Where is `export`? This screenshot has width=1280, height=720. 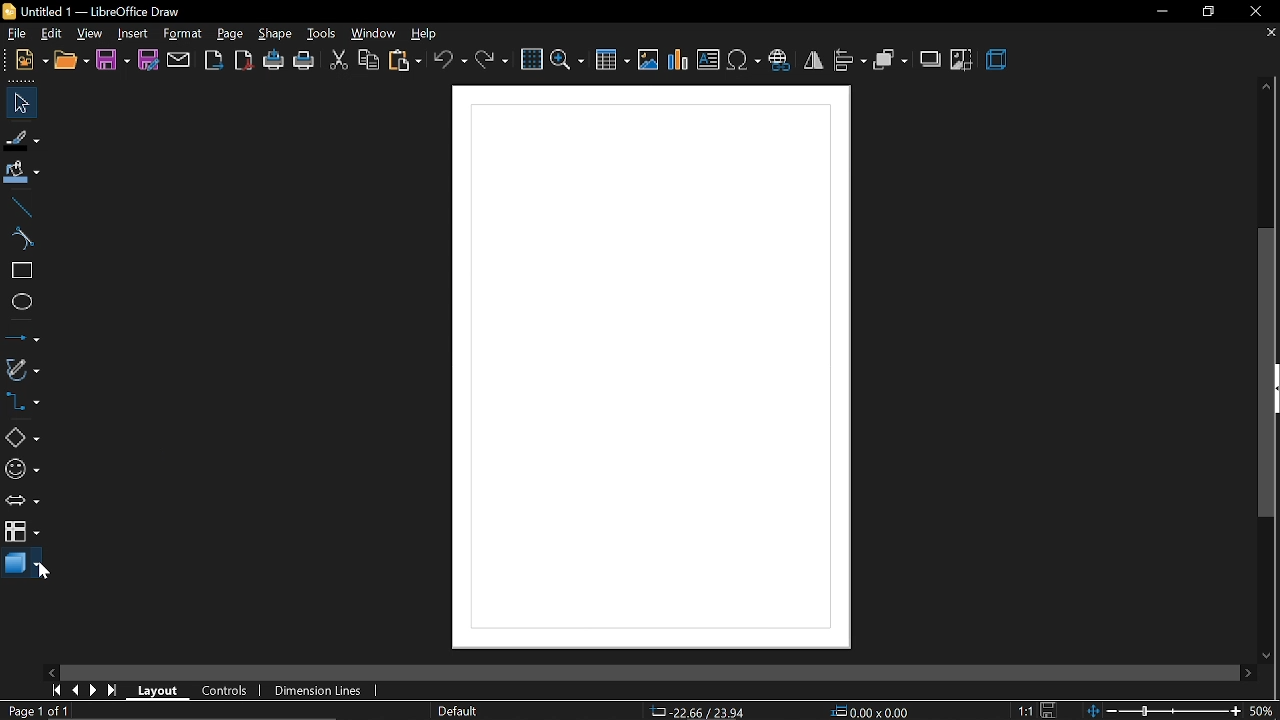
export is located at coordinates (213, 60).